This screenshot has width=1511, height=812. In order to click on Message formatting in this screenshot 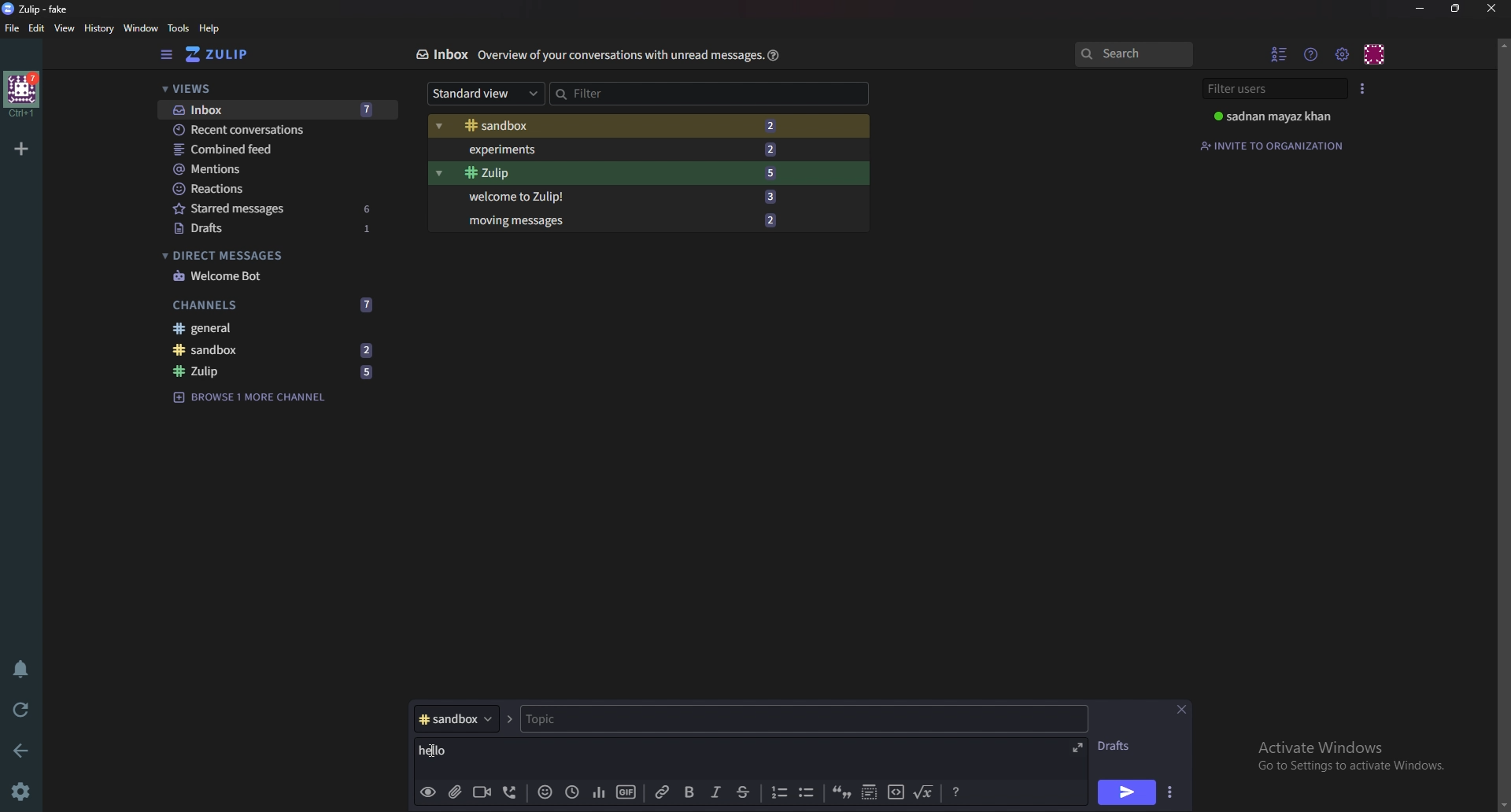, I will do `click(956, 790)`.